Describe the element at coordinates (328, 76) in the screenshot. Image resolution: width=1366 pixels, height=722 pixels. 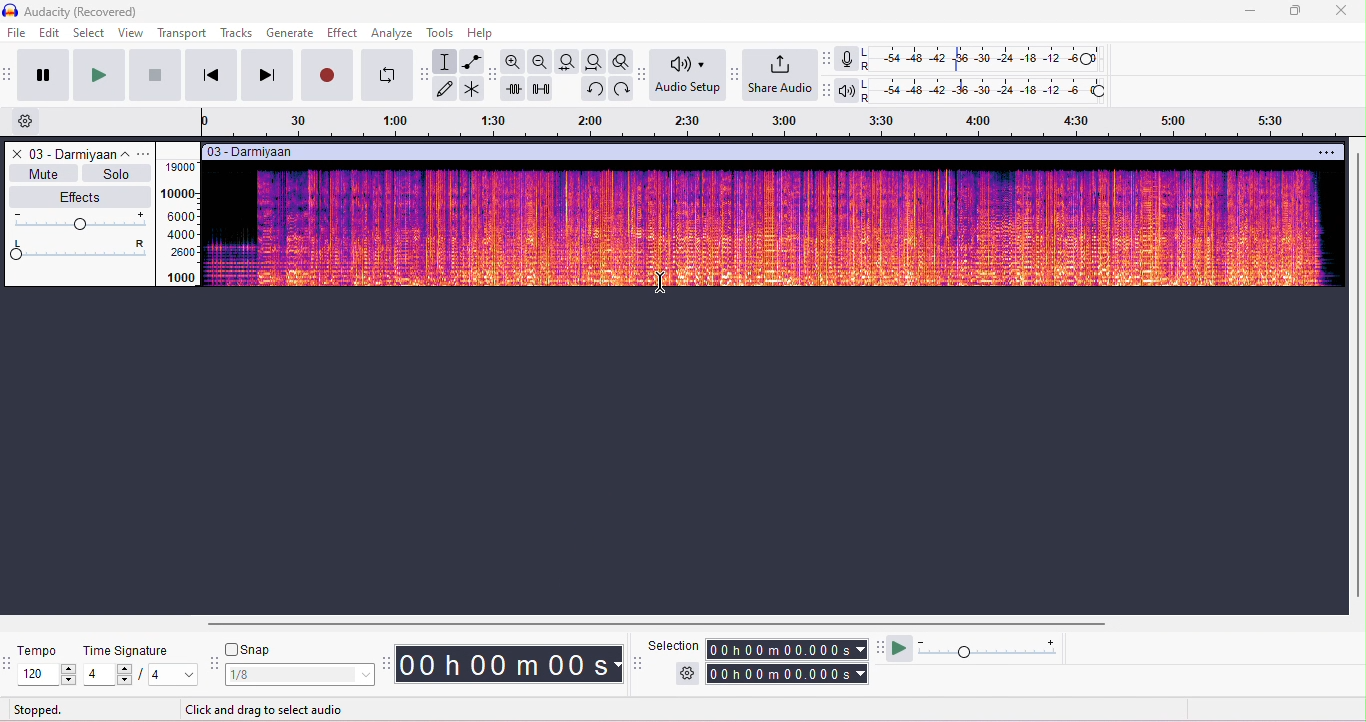
I see `record` at that location.